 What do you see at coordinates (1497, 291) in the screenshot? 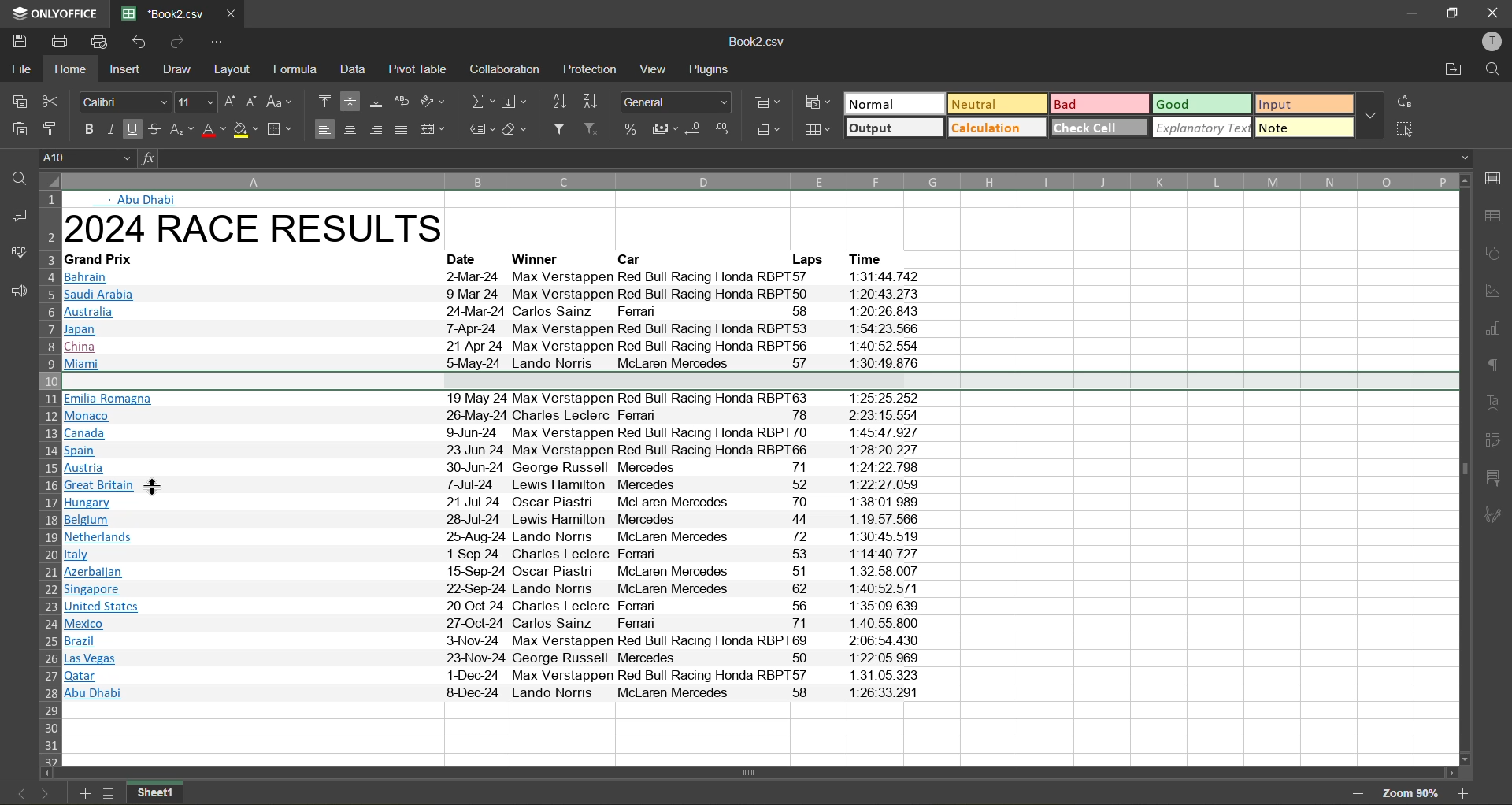
I see `image` at bounding box center [1497, 291].